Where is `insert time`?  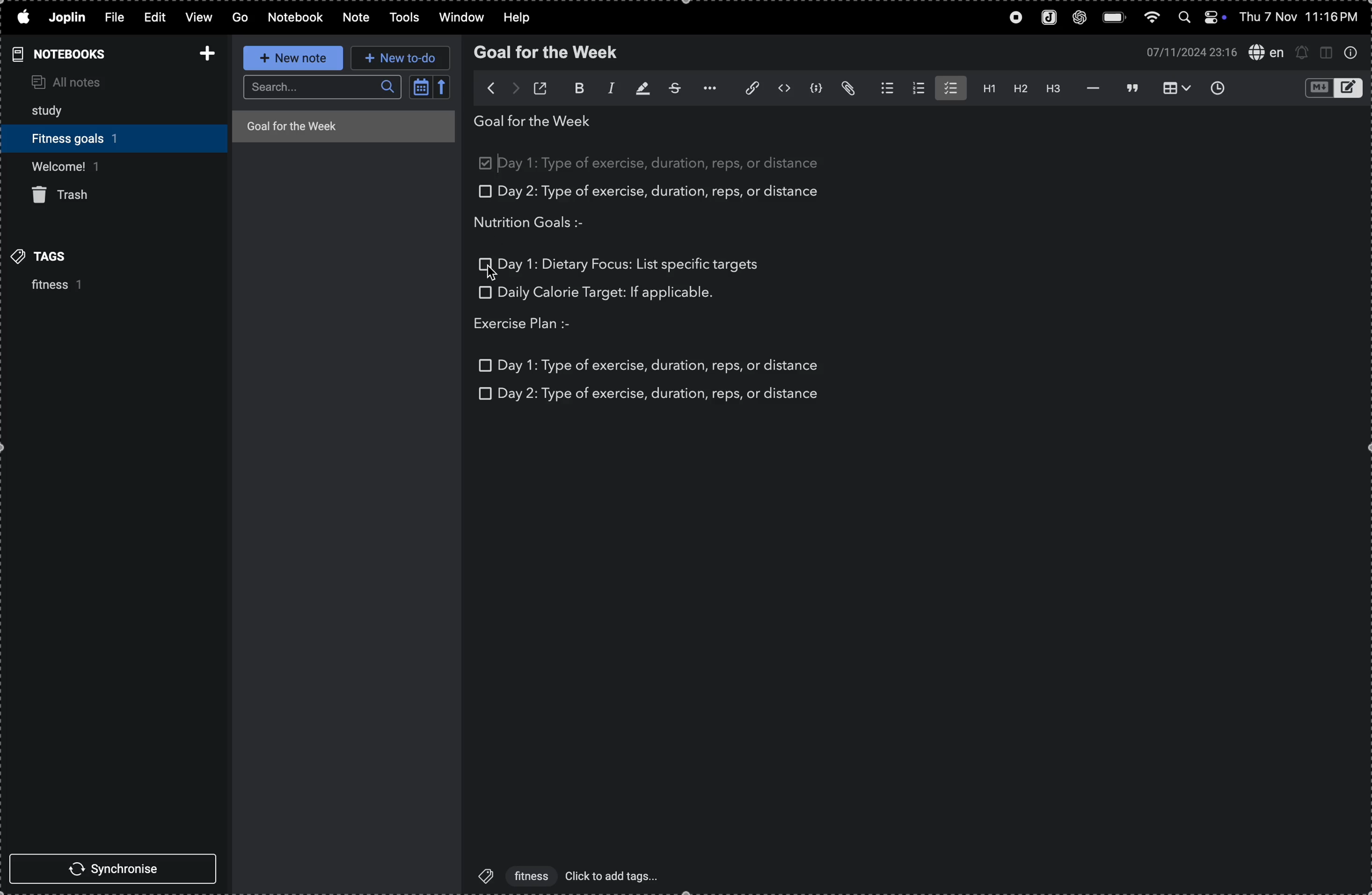 insert time is located at coordinates (1222, 88).